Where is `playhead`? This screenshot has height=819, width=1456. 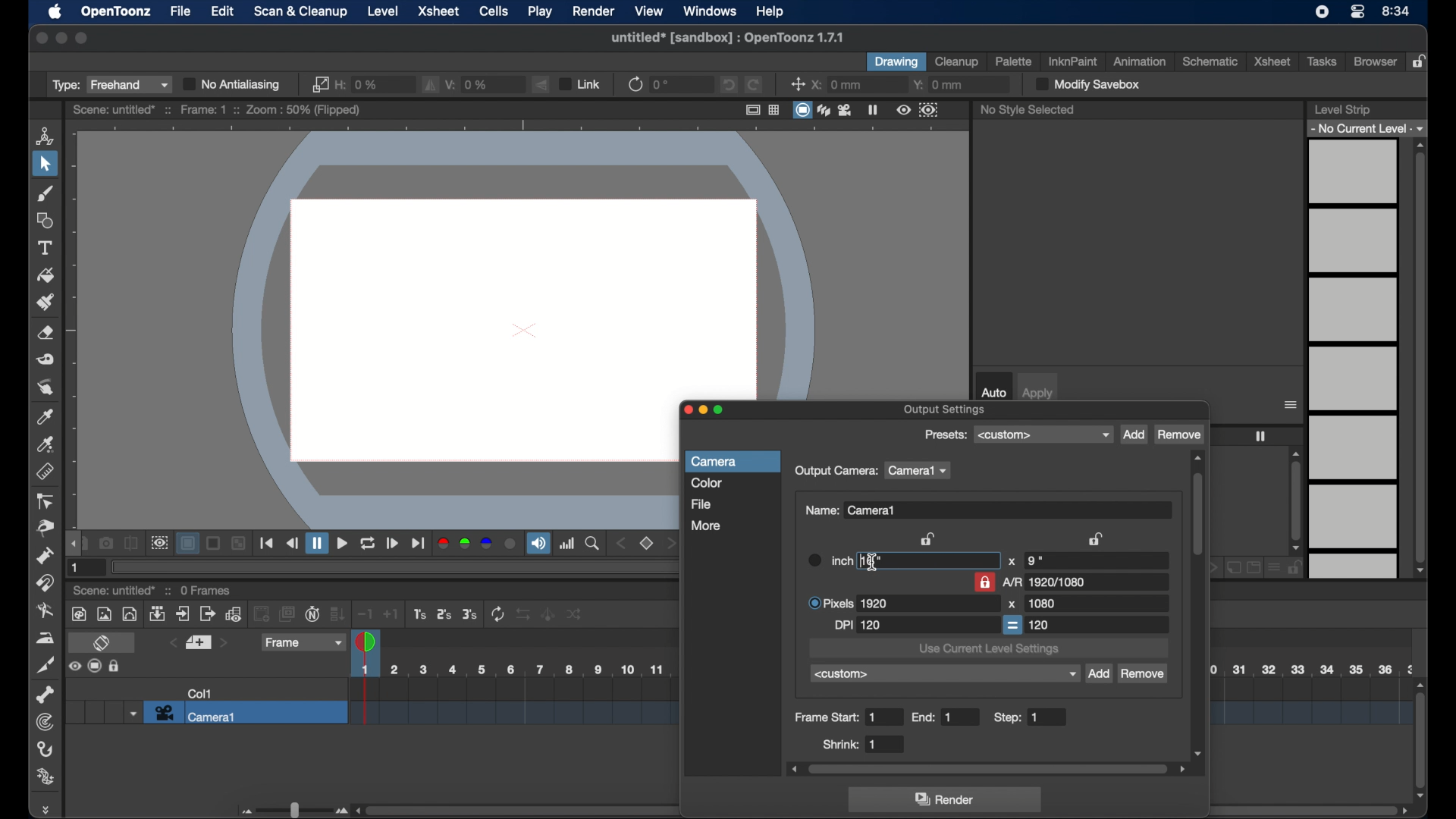
playhead is located at coordinates (367, 641).